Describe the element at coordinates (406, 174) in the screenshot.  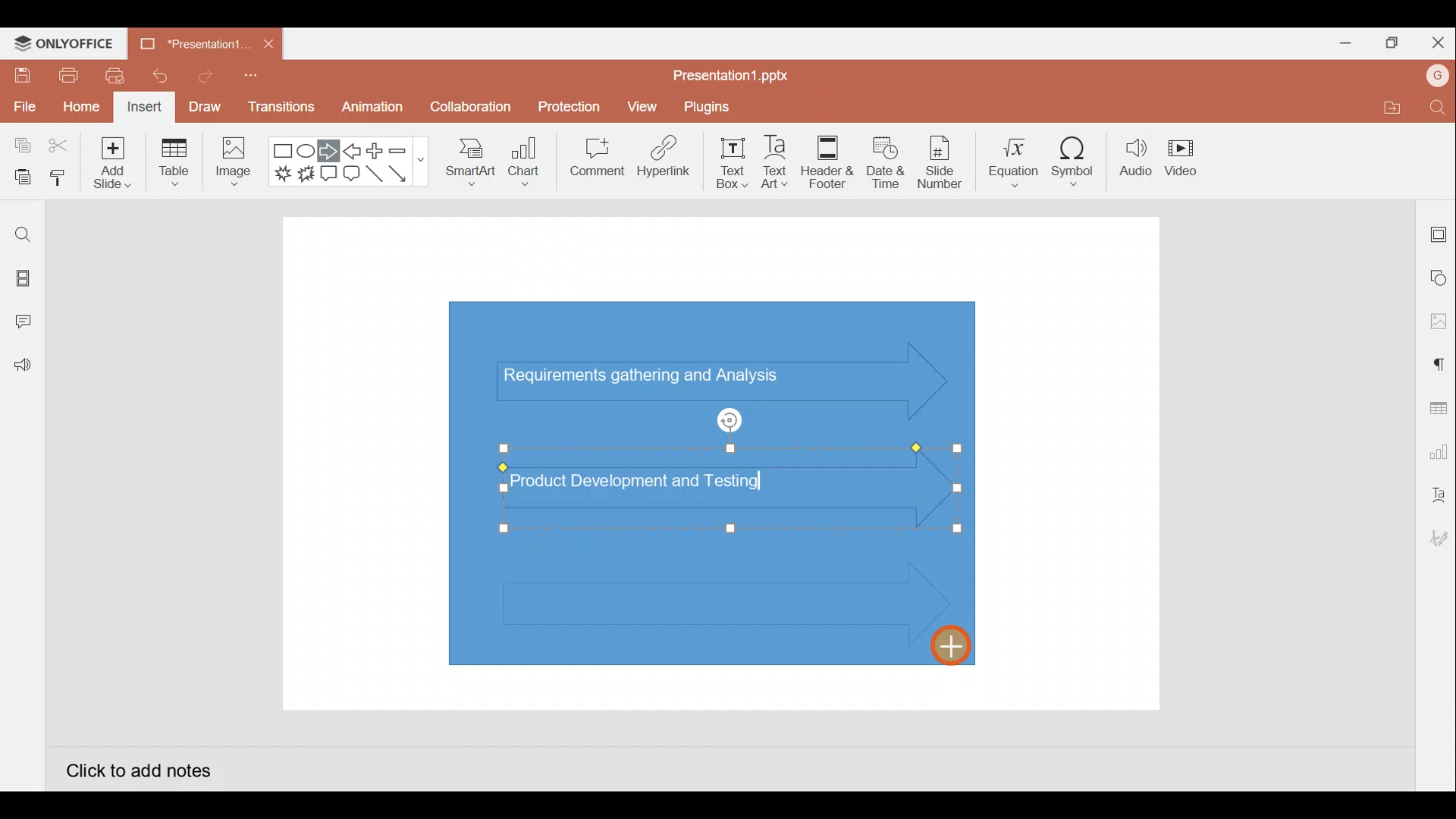
I see `Arrow` at that location.